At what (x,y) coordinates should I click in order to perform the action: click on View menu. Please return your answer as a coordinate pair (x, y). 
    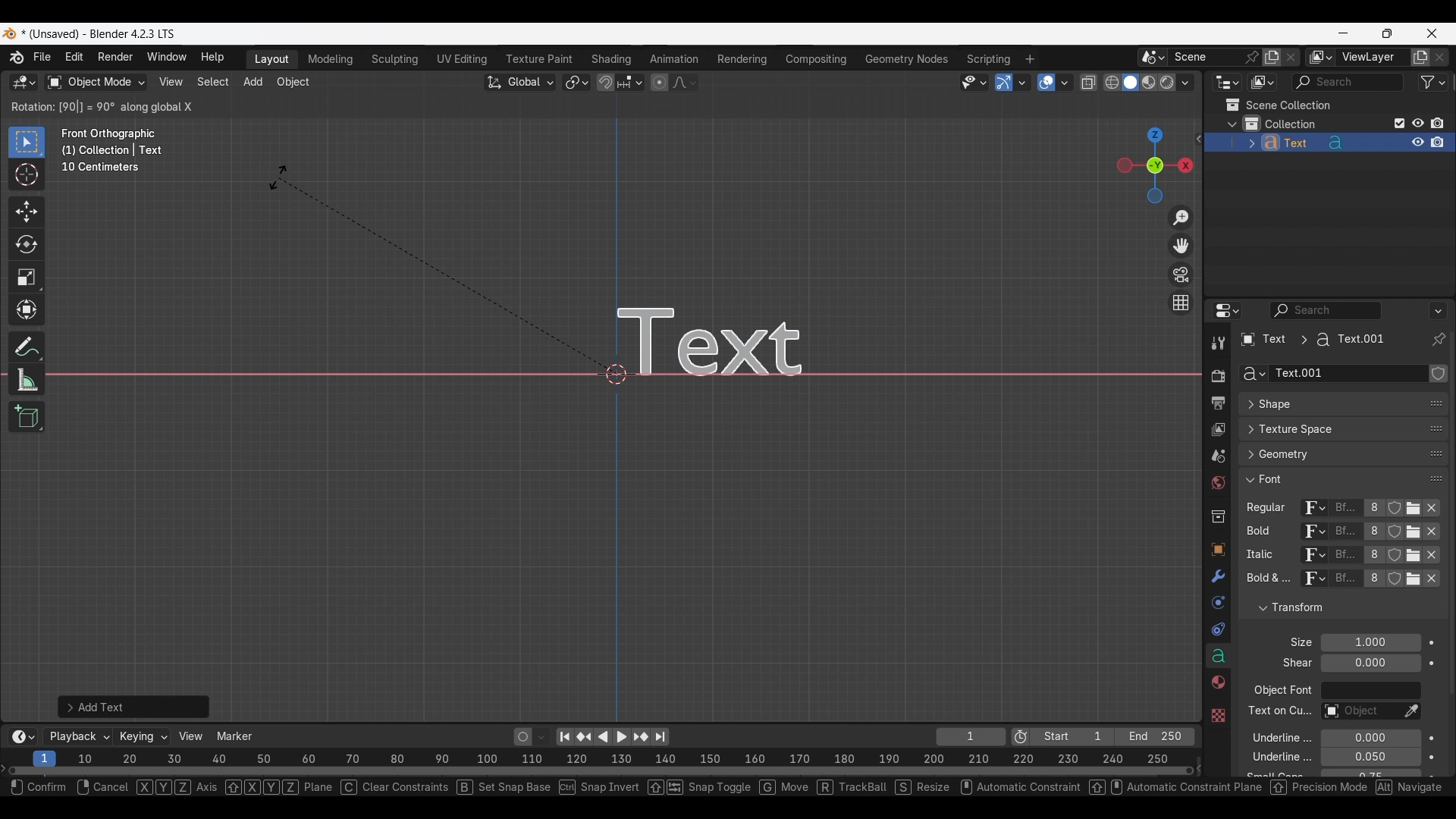
    Looking at the image, I should click on (170, 82).